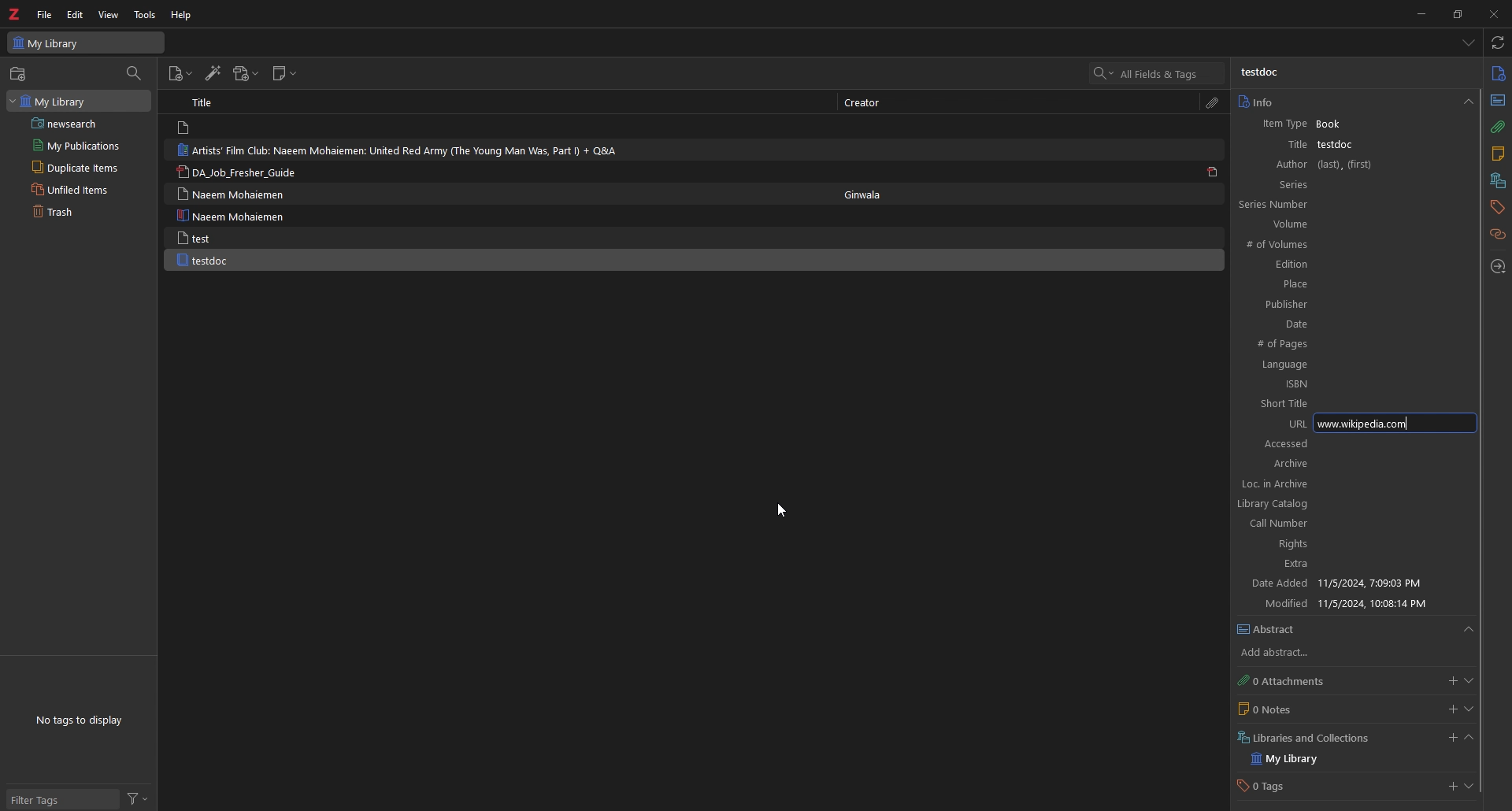 The width and height of the screenshot is (1512, 811). I want to click on new collection, so click(20, 74).